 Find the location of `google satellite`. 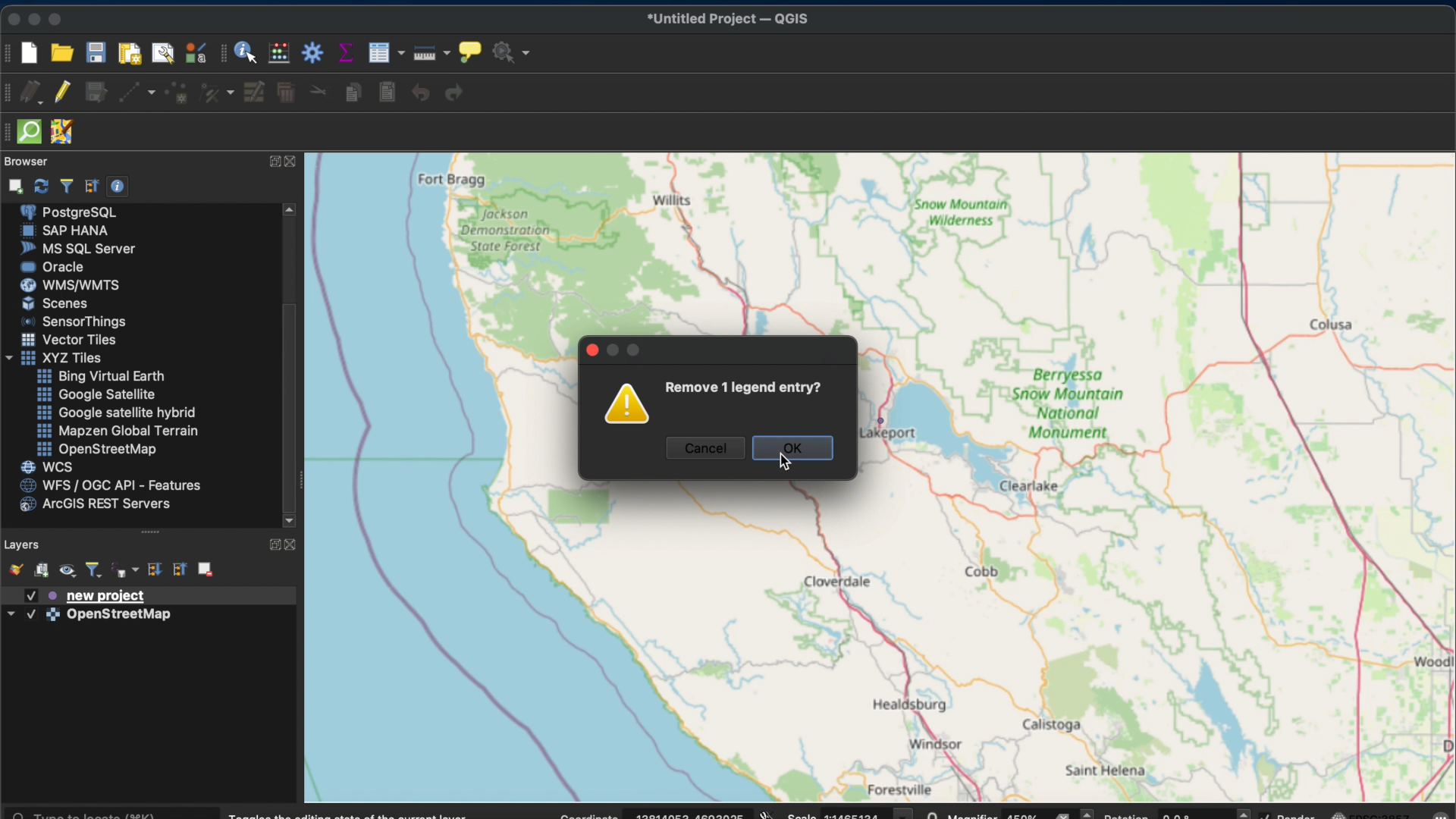

google satellite is located at coordinates (95, 395).